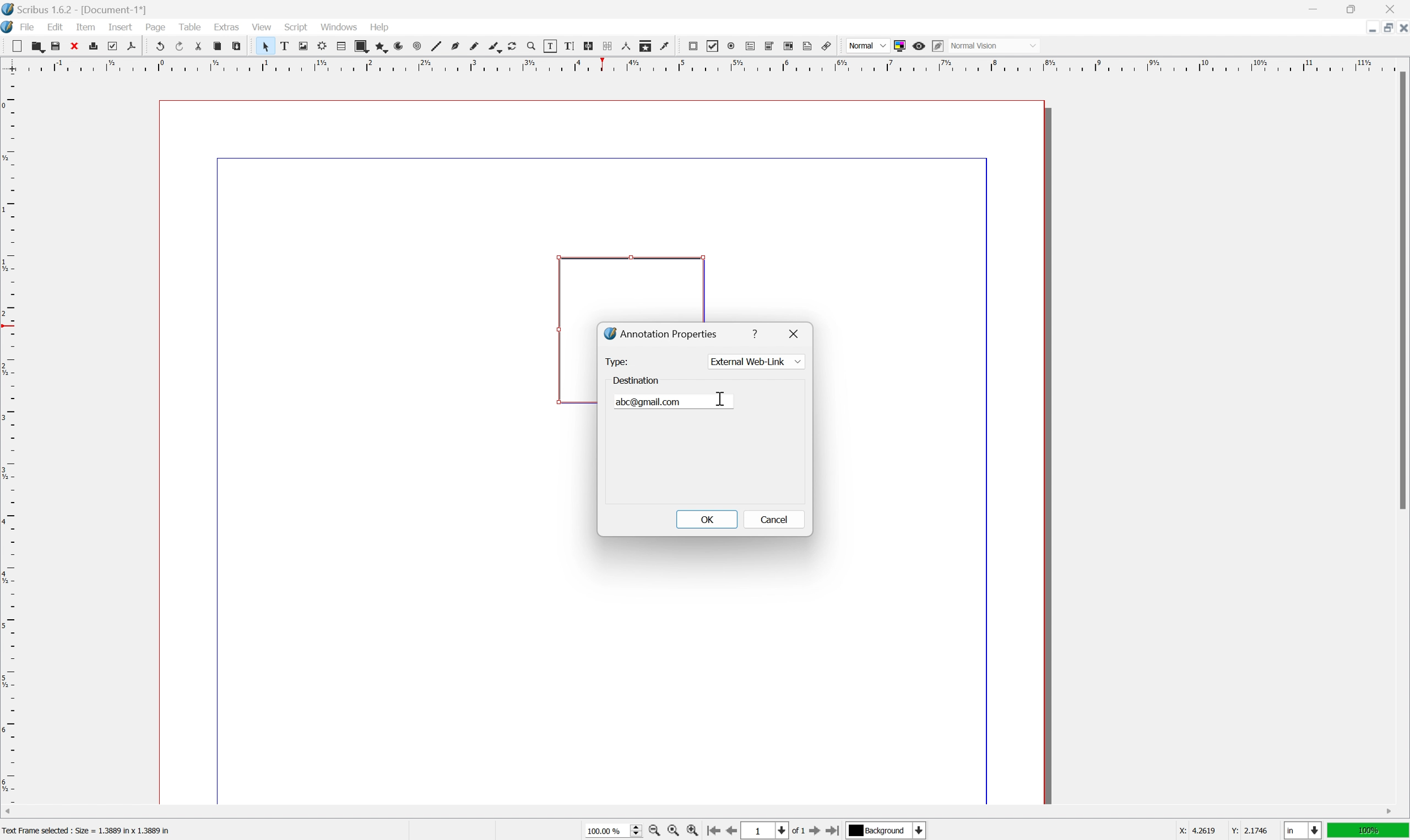 The height and width of the screenshot is (840, 1410). Describe the element at coordinates (626, 46) in the screenshot. I see `measurements` at that location.